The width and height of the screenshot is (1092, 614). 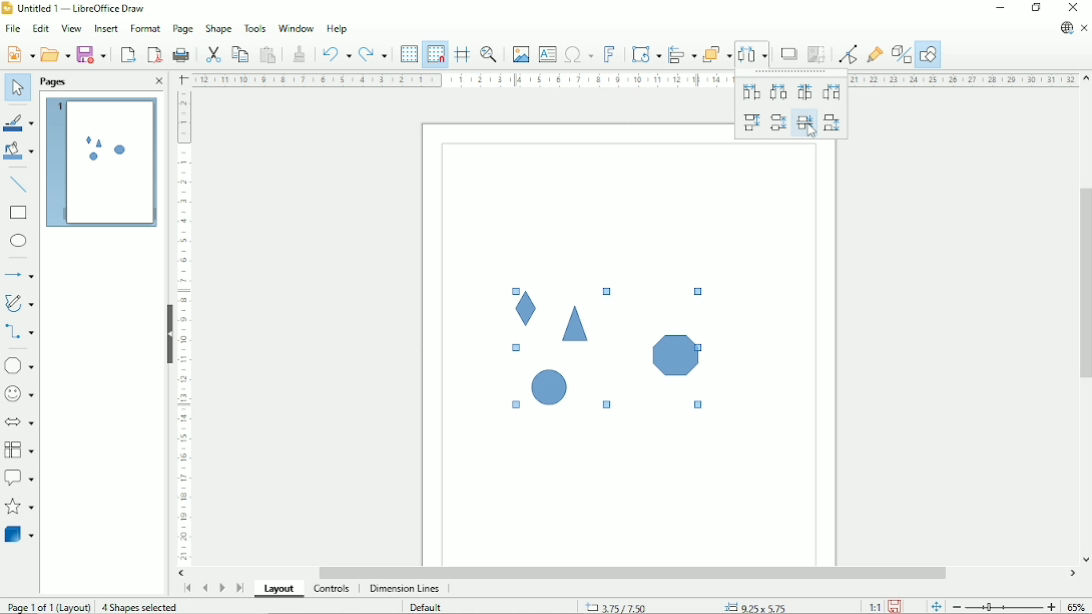 What do you see at coordinates (1003, 607) in the screenshot?
I see `Zoom out/in` at bounding box center [1003, 607].